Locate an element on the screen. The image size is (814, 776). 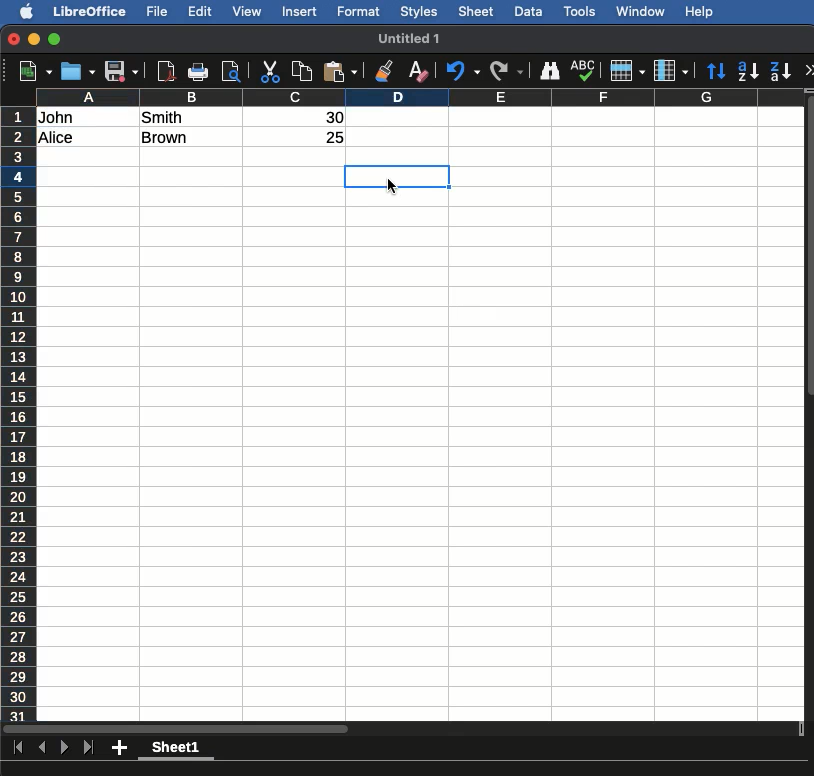
cursor is located at coordinates (393, 187).